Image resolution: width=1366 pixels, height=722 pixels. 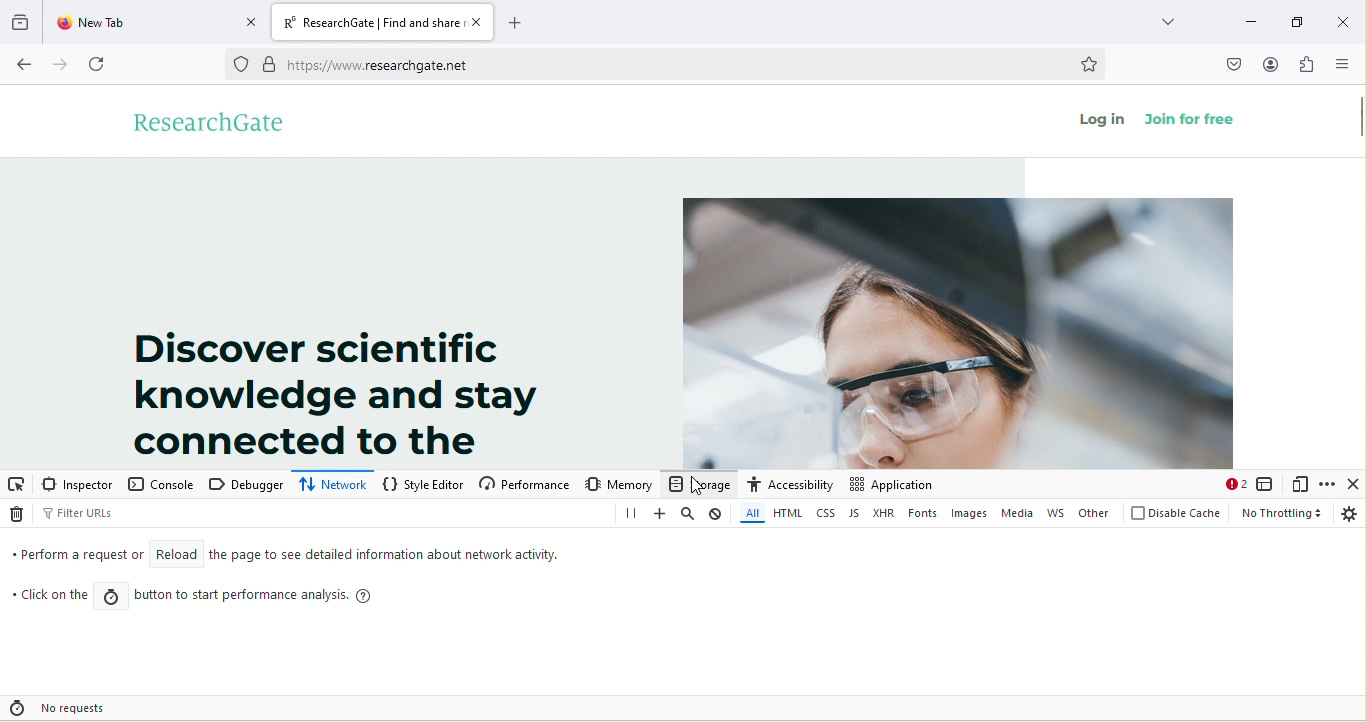 What do you see at coordinates (290, 556) in the screenshot?
I see `Perform a request or reload the page to see detailed information about network activity.` at bounding box center [290, 556].